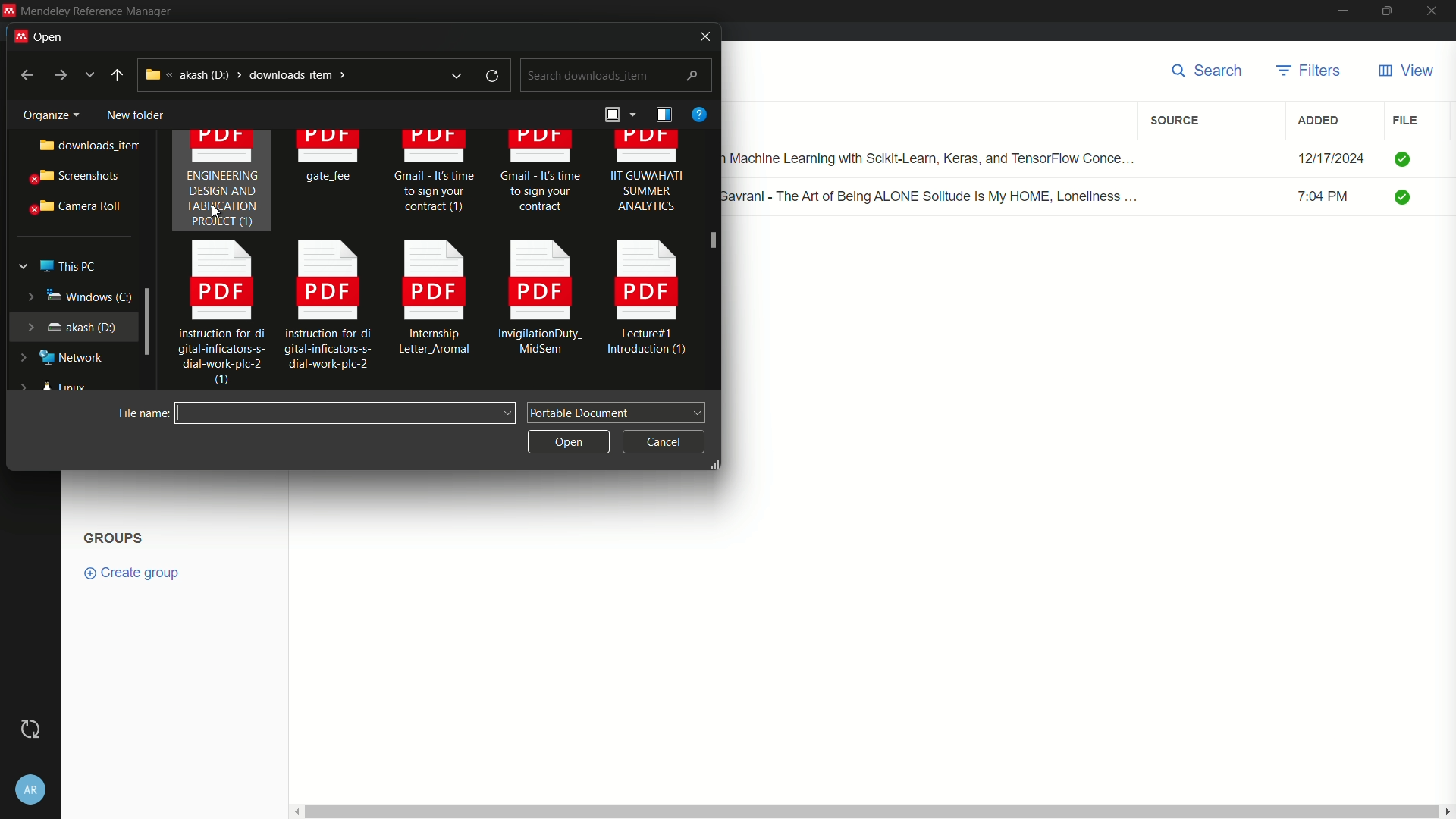 The height and width of the screenshot is (819, 1456). Describe the element at coordinates (541, 174) in the screenshot. I see `Gmail - It's time.
to sign your
contract` at that location.